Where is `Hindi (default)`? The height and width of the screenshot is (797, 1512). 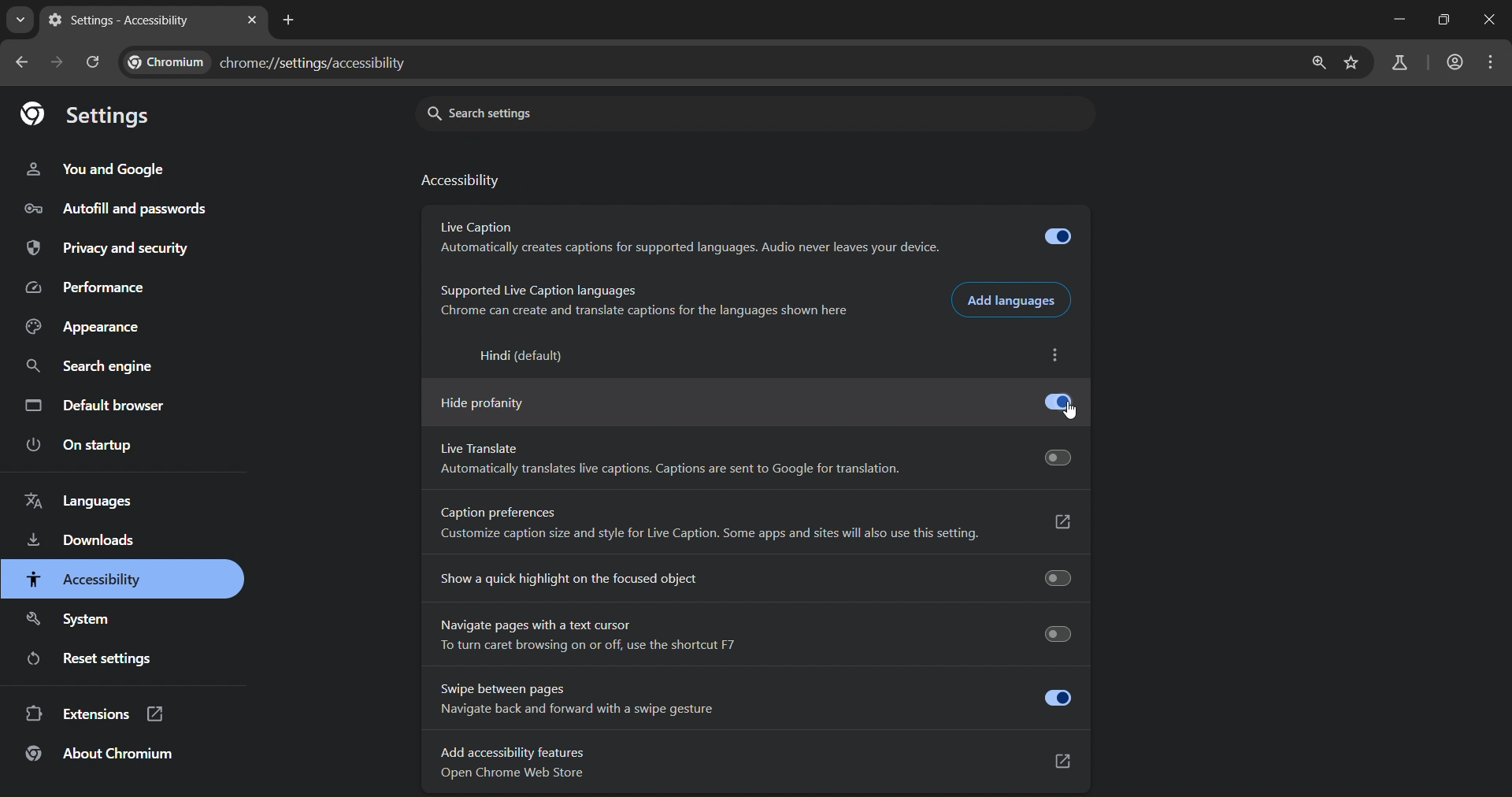 Hindi (default) is located at coordinates (524, 356).